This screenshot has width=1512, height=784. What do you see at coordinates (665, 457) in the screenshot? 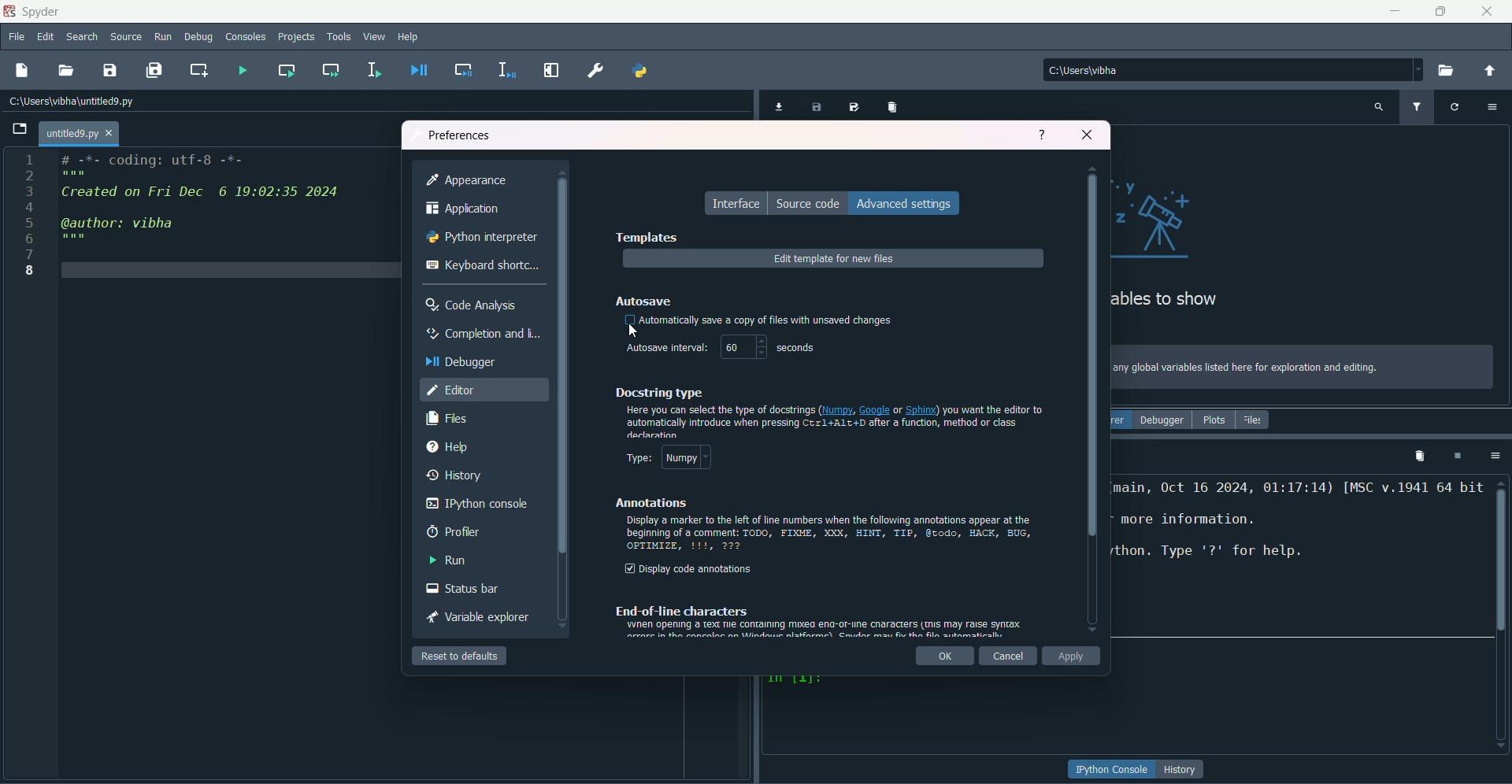
I see `type` at bounding box center [665, 457].